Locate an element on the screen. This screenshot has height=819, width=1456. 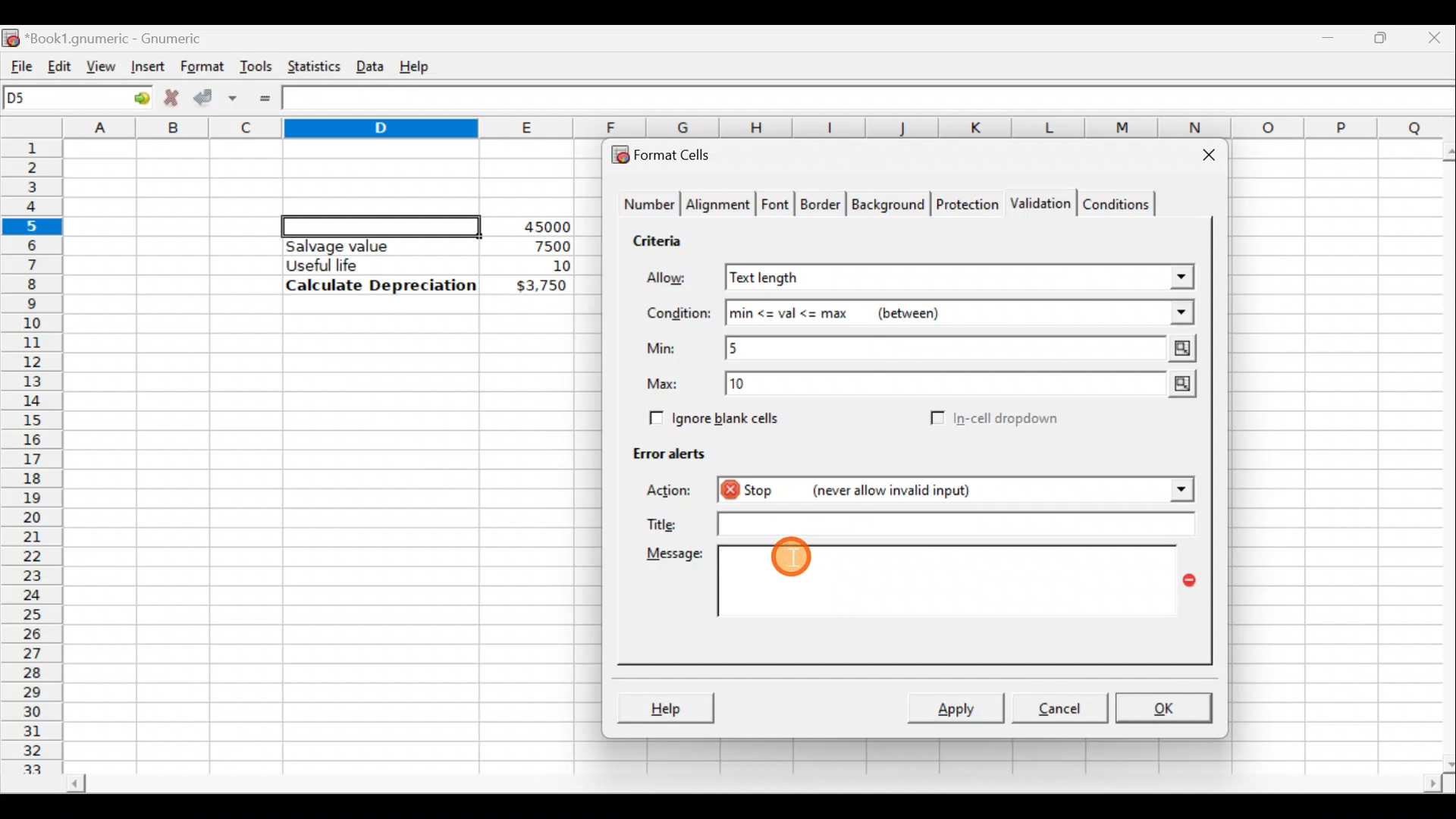
Gnumeric logo is located at coordinates (11, 36).